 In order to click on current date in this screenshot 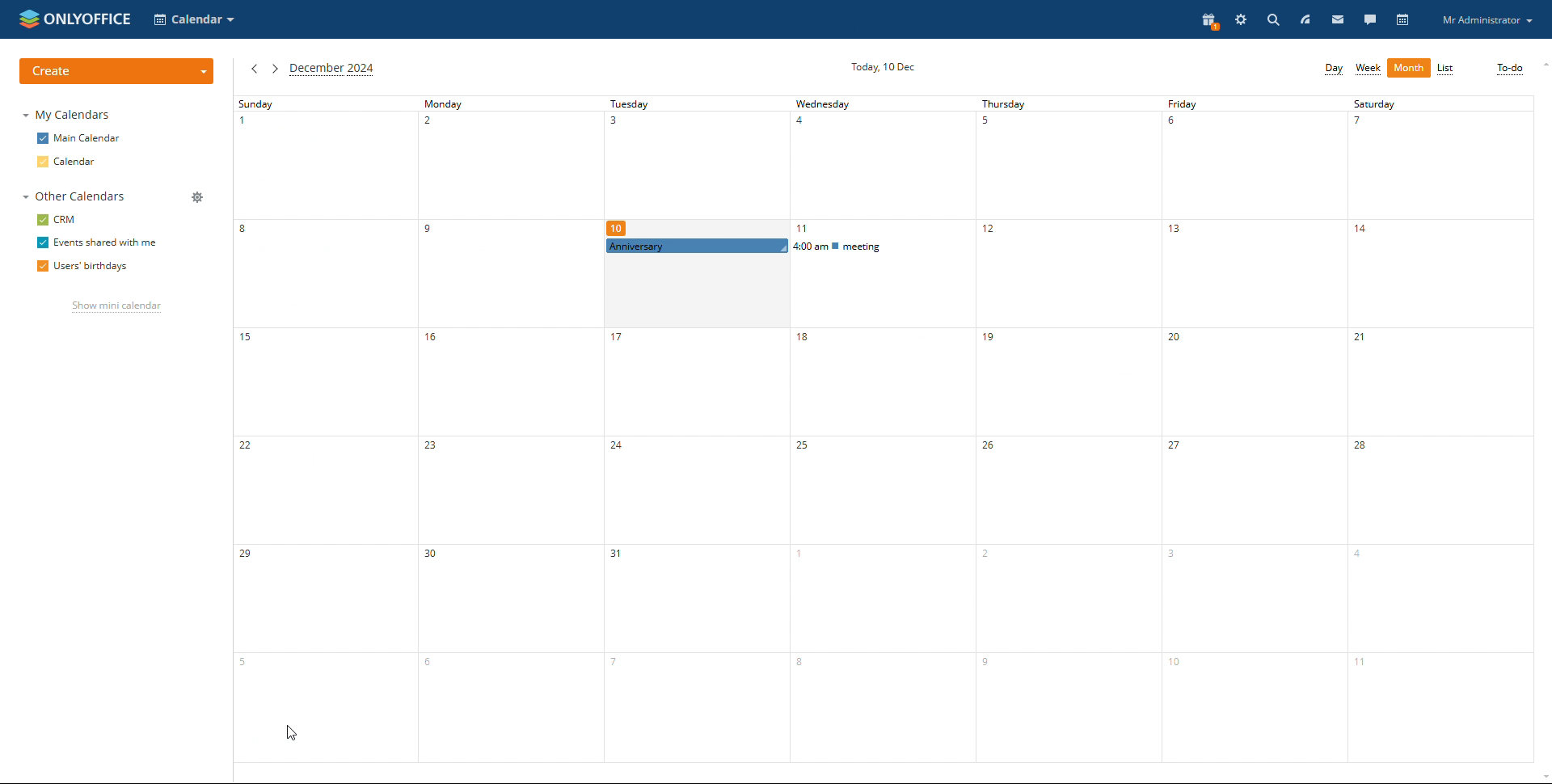, I will do `click(886, 65)`.